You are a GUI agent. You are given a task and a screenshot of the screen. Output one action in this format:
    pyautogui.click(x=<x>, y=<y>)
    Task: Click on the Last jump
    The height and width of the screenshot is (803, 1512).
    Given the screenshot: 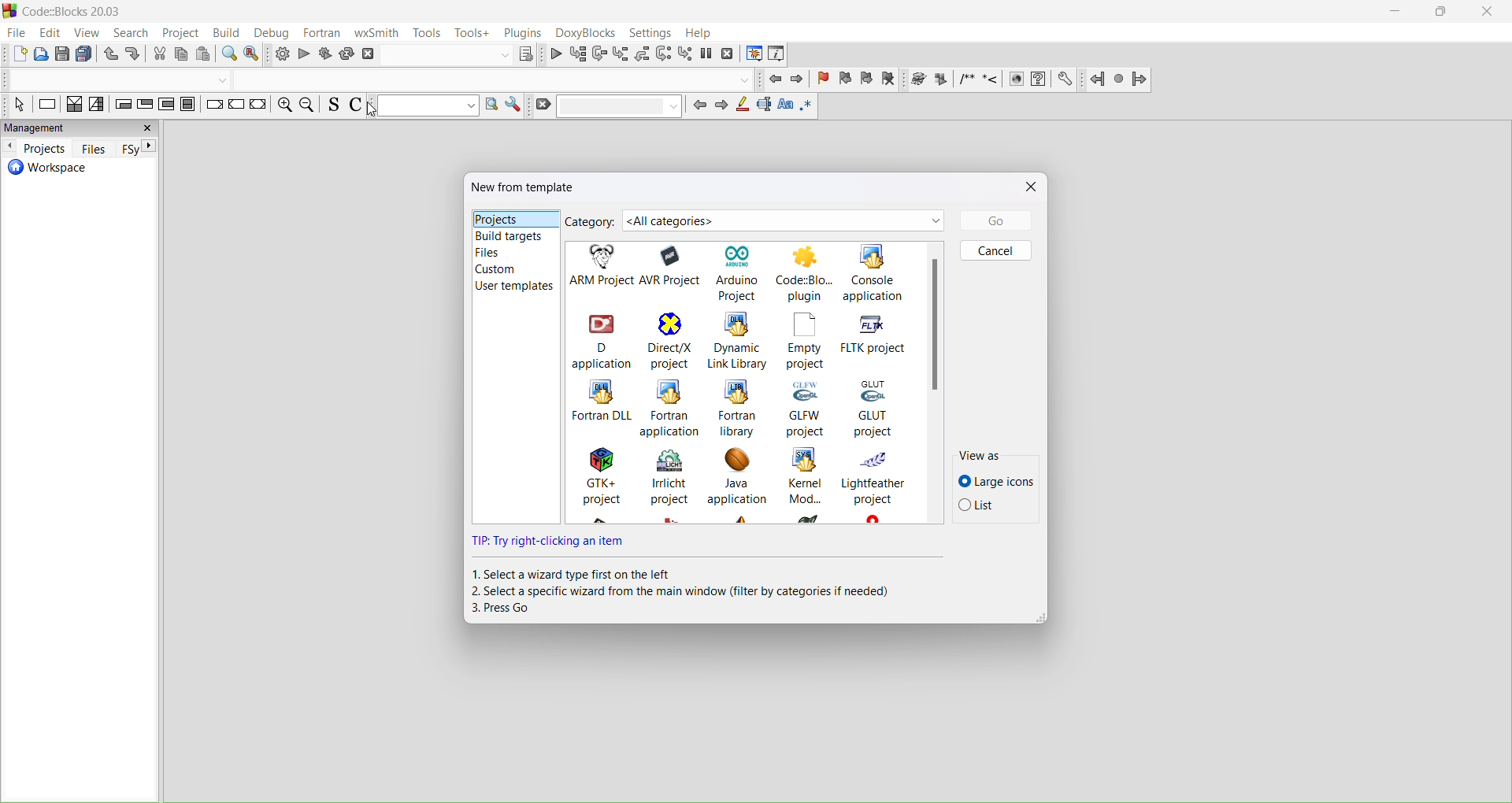 What is the action you would take?
    pyautogui.click(x=1119, y=79)
    